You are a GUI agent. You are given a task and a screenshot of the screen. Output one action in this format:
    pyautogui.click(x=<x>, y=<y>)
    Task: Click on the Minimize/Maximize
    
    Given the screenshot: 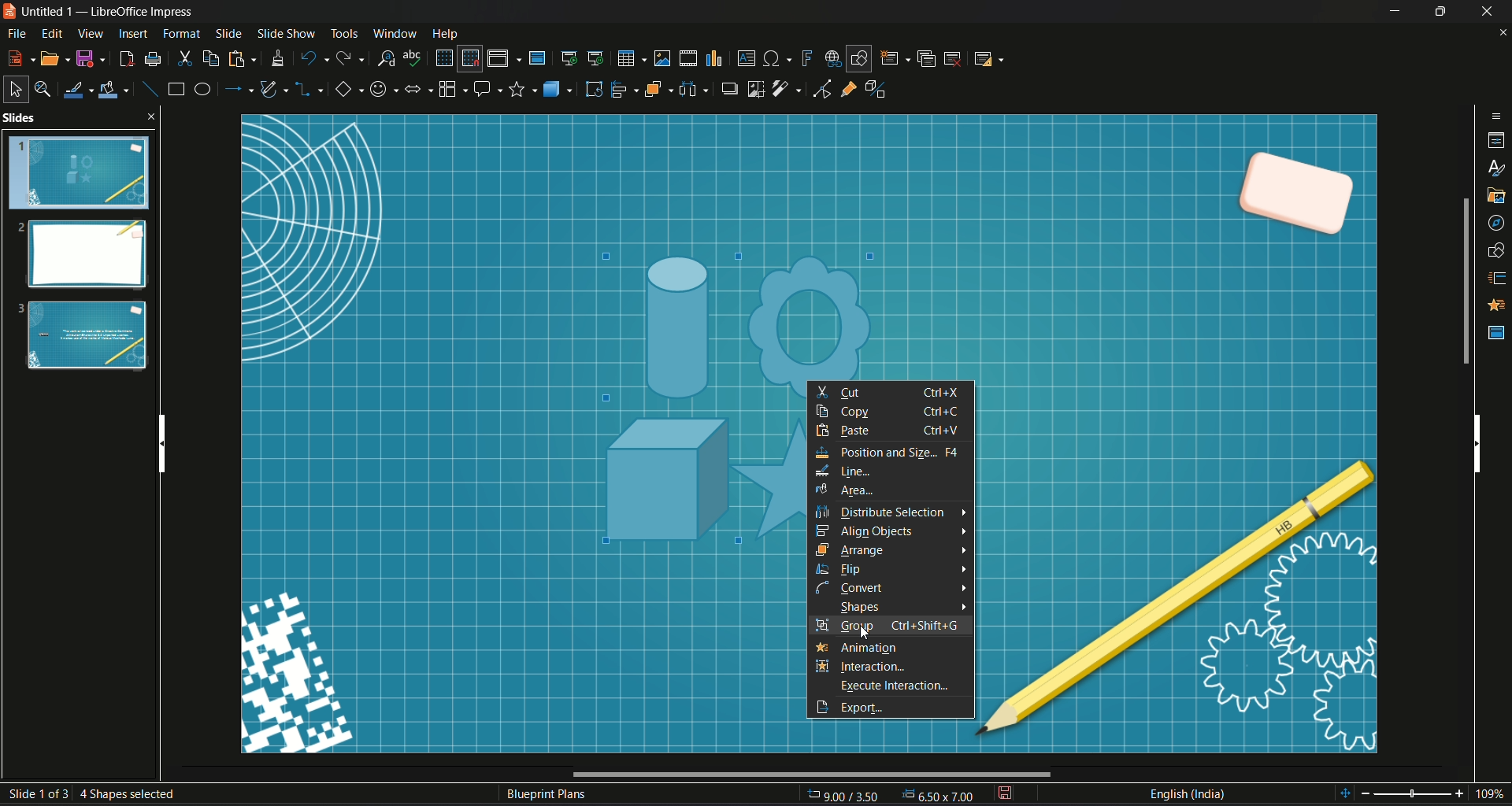 What is the action you would take?
    pyautogui.click(x=1439, y=11)
    